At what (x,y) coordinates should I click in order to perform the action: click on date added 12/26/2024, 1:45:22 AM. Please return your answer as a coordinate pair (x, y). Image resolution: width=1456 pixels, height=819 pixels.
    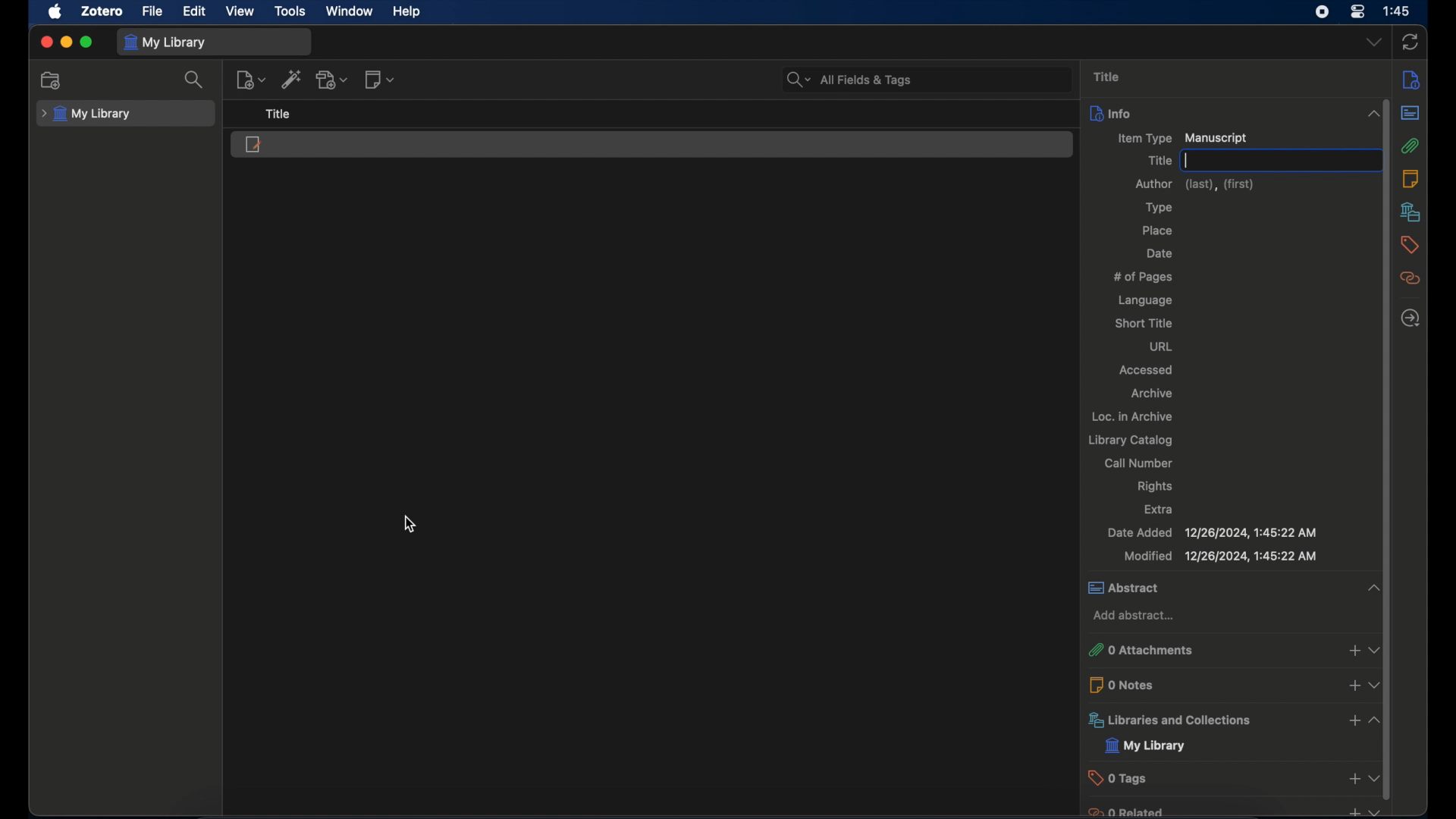
    Looking at the image, I should click on (1211, 533).